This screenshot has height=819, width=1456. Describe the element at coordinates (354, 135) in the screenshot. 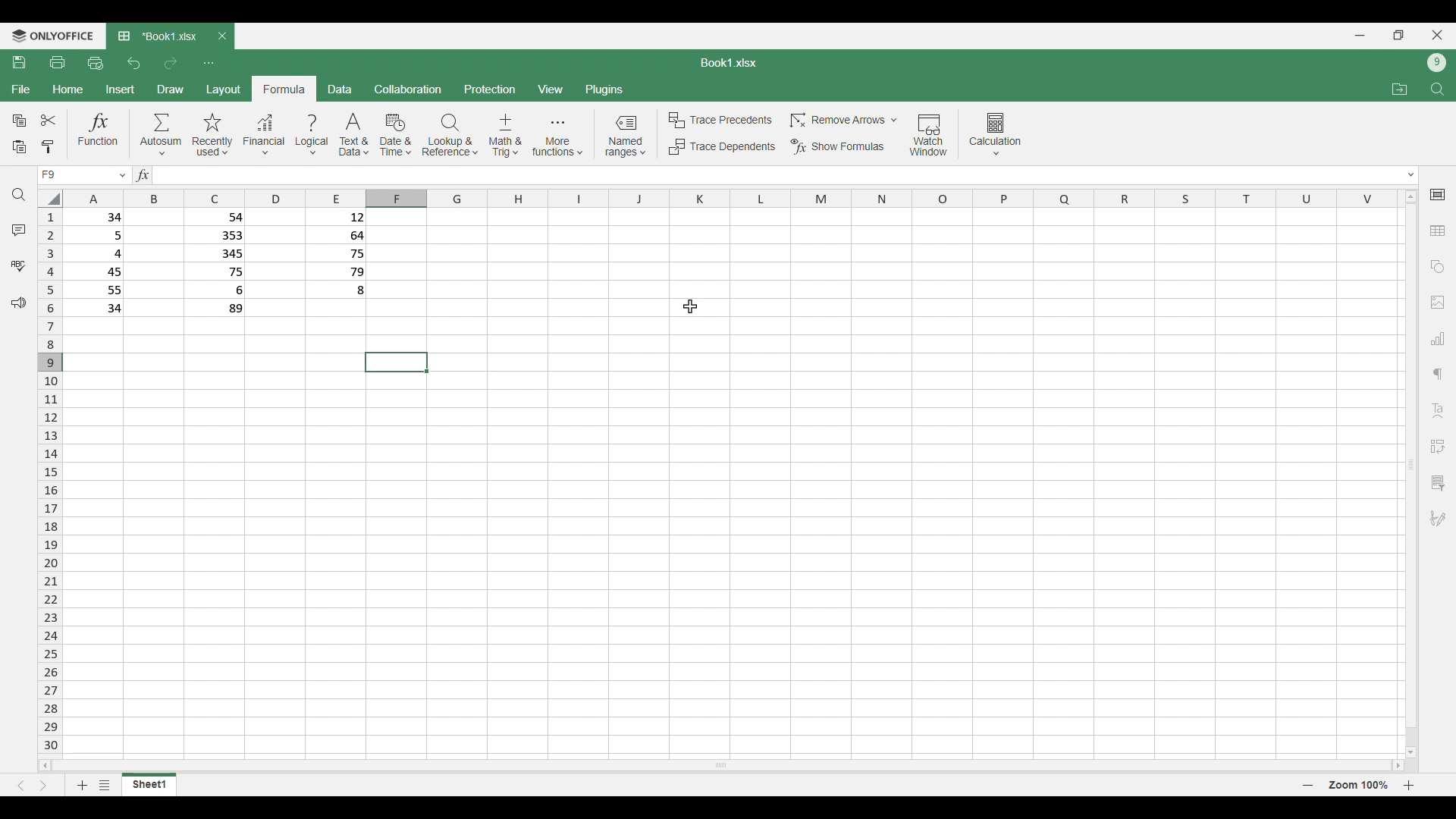

I see `Text and data` at that location.